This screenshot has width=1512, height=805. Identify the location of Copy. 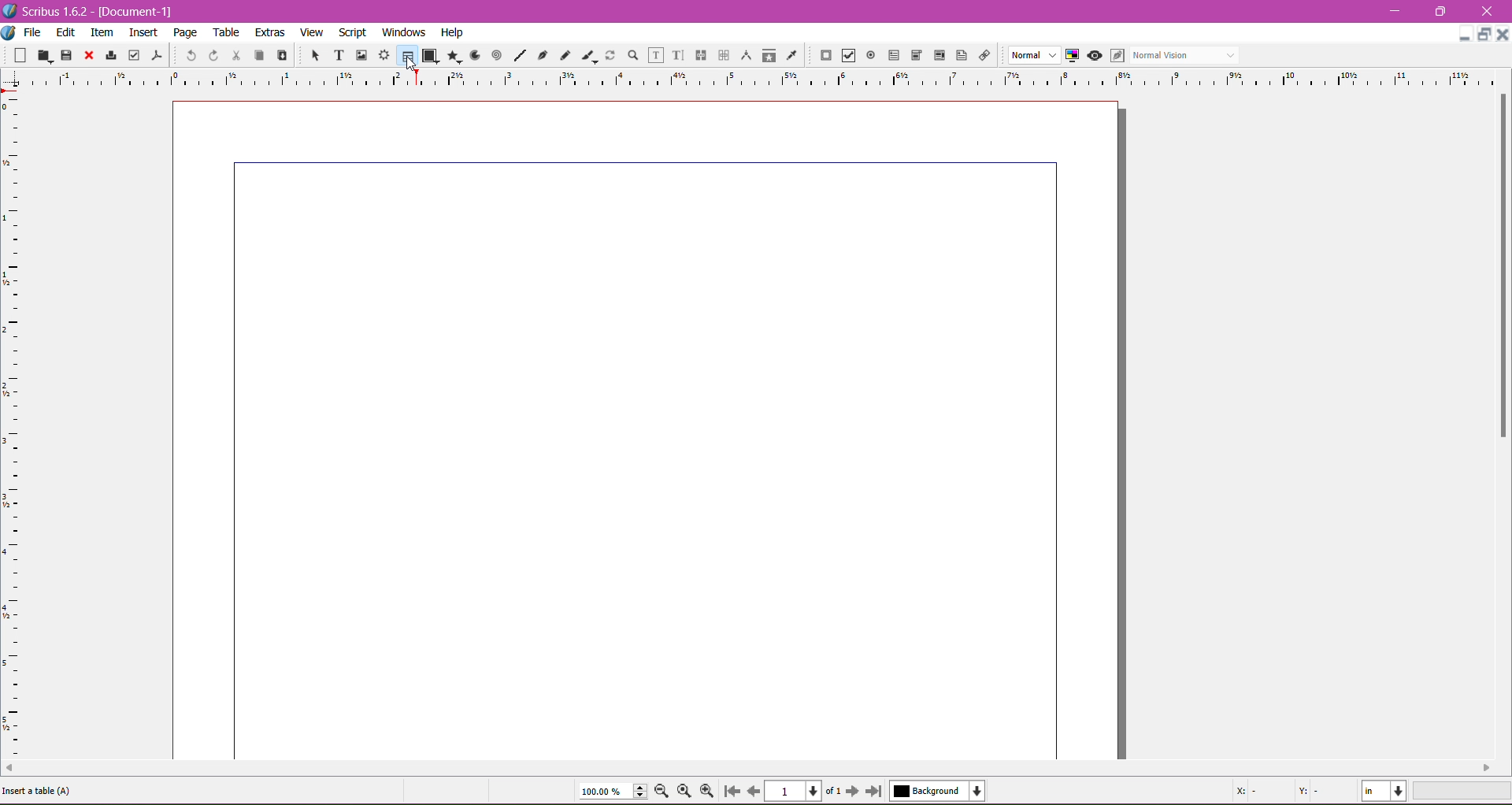
(257, 54).